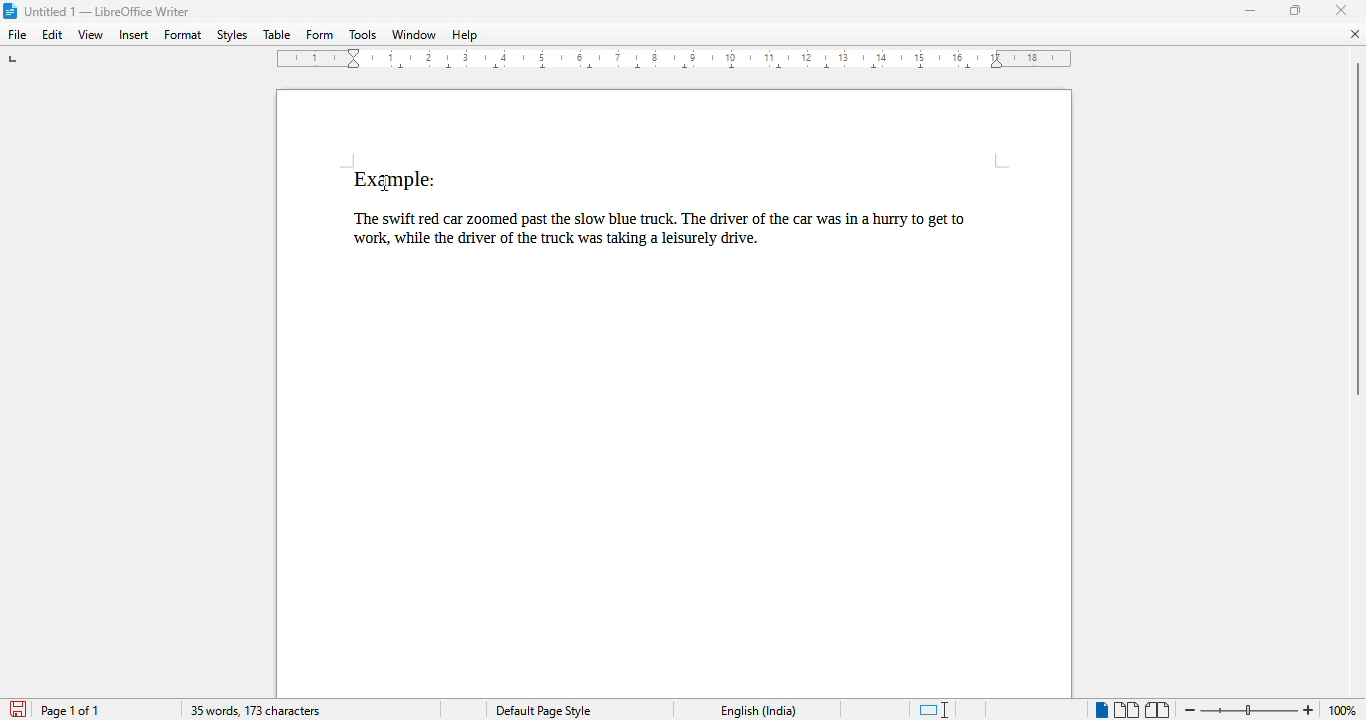 This screenshot has height=720, width=1366. Describe the element at coordinates (1126, 710) in the screenshot. I see `multi-page view` at that location.